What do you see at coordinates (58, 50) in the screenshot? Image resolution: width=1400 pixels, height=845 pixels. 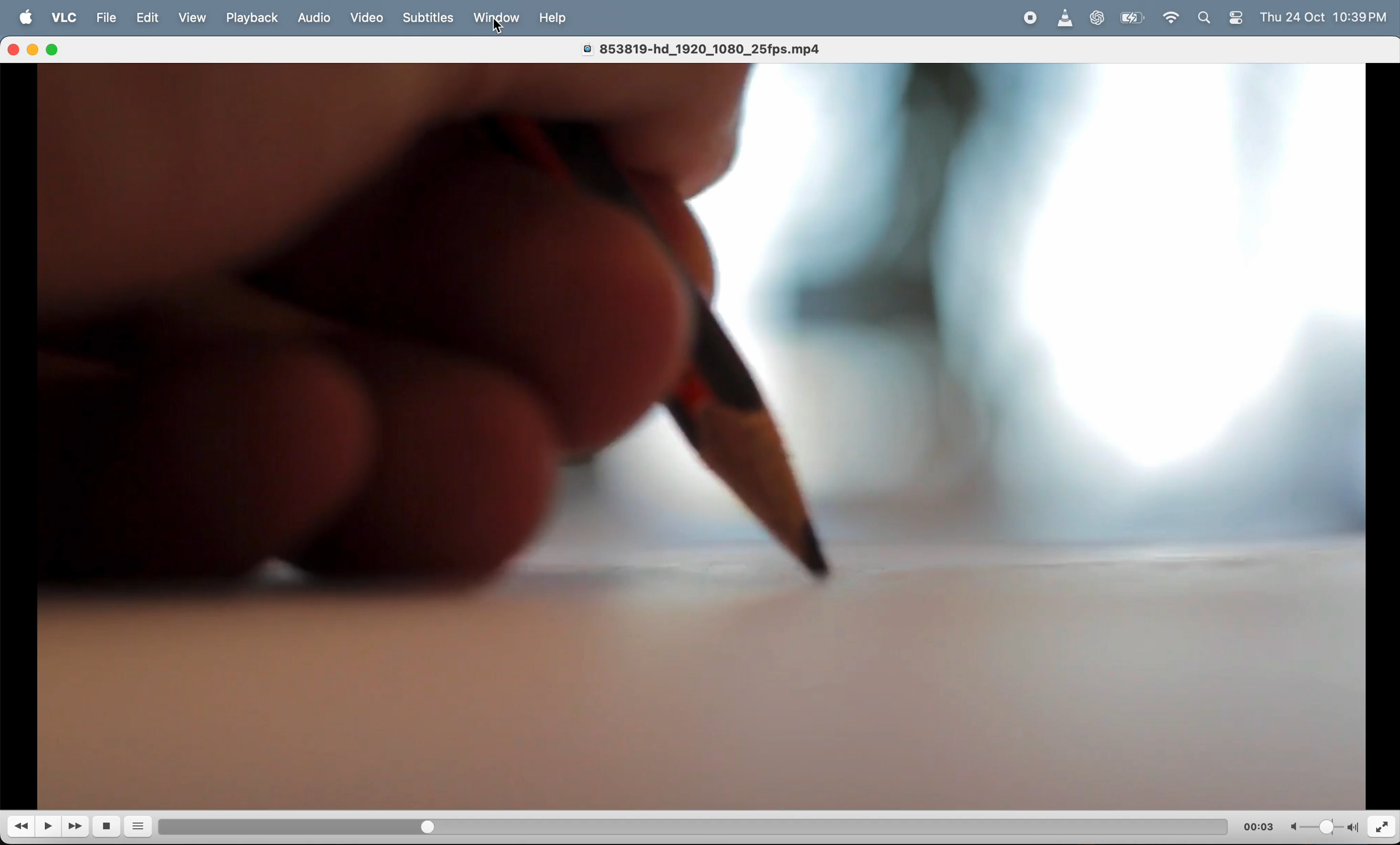 I see `maximize` at bounding box center [58, 50].